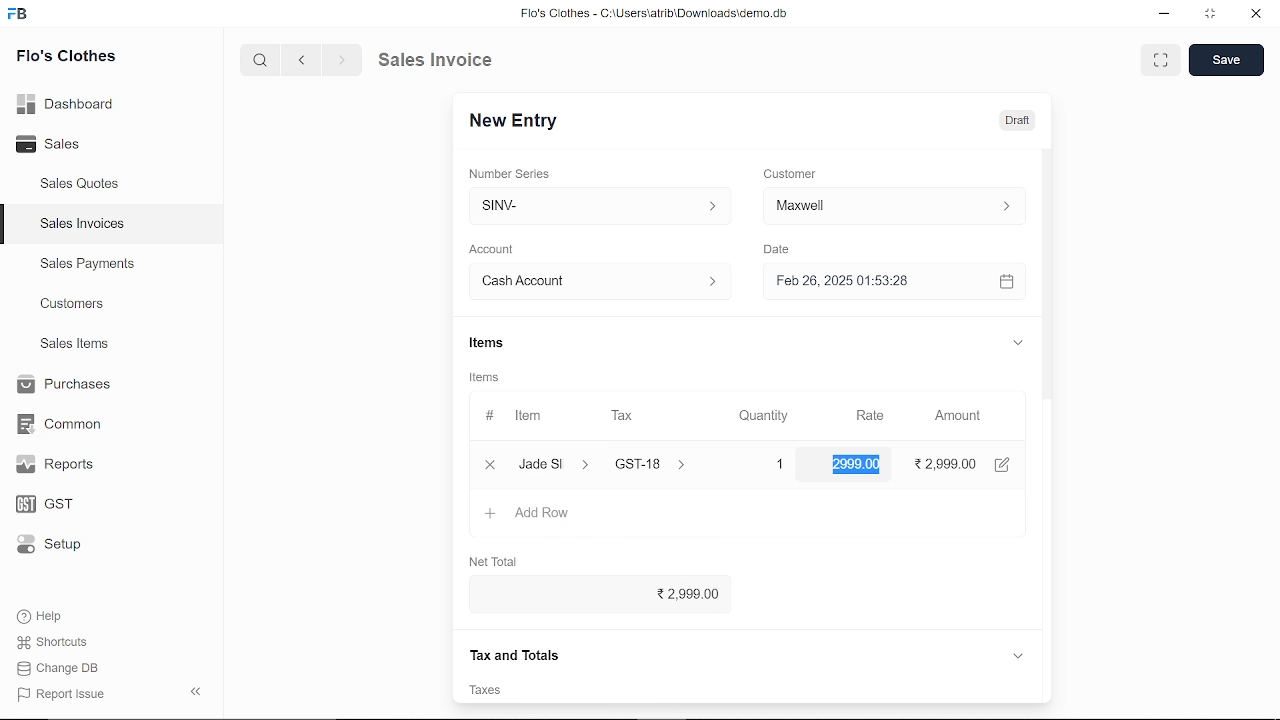  What do you see at coordinates (197, 689) in the screenshot?
I see `hide` at bounding box center [197, 689].